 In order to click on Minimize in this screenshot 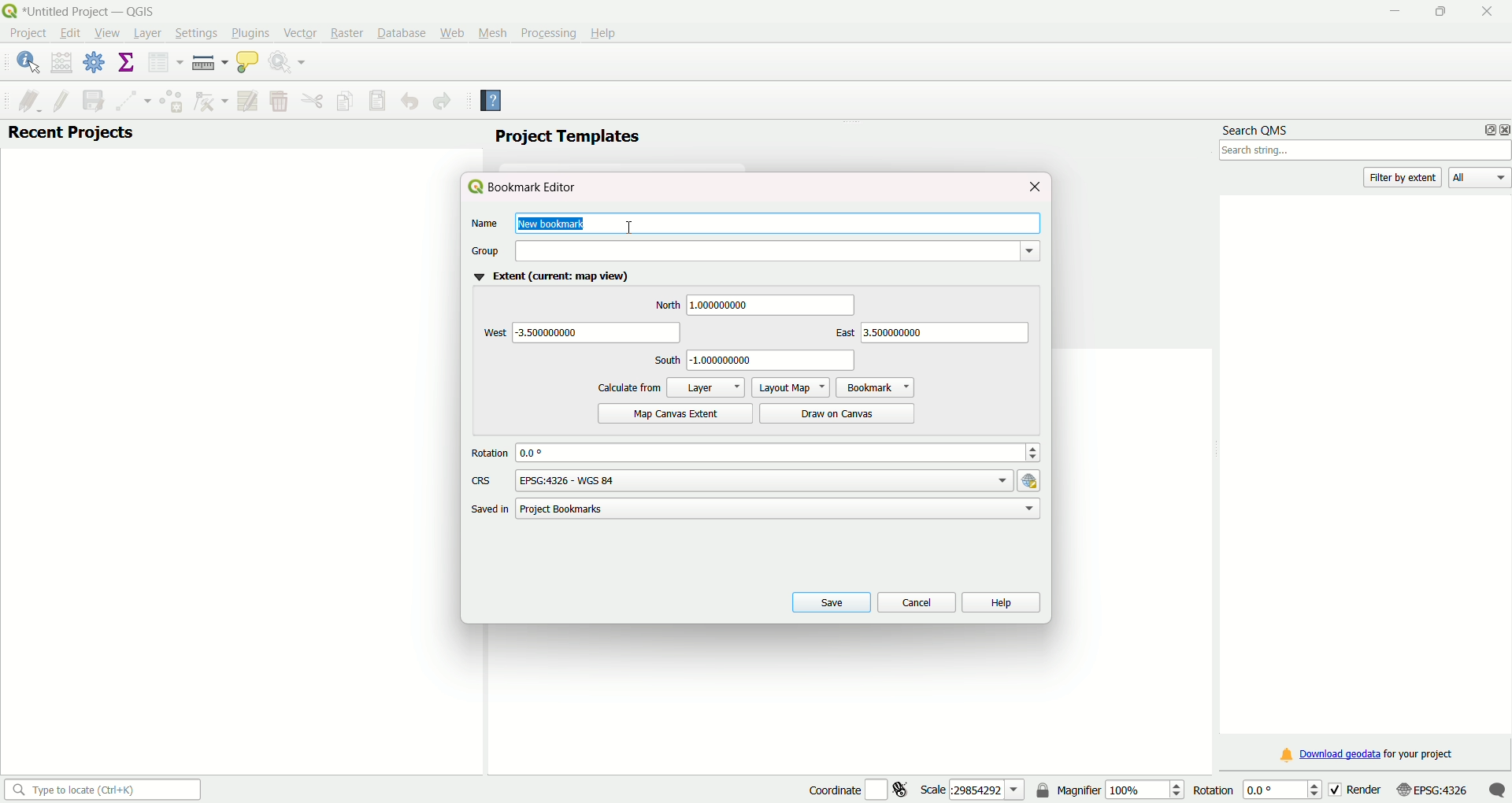, I will do `click(1393, 13)`.